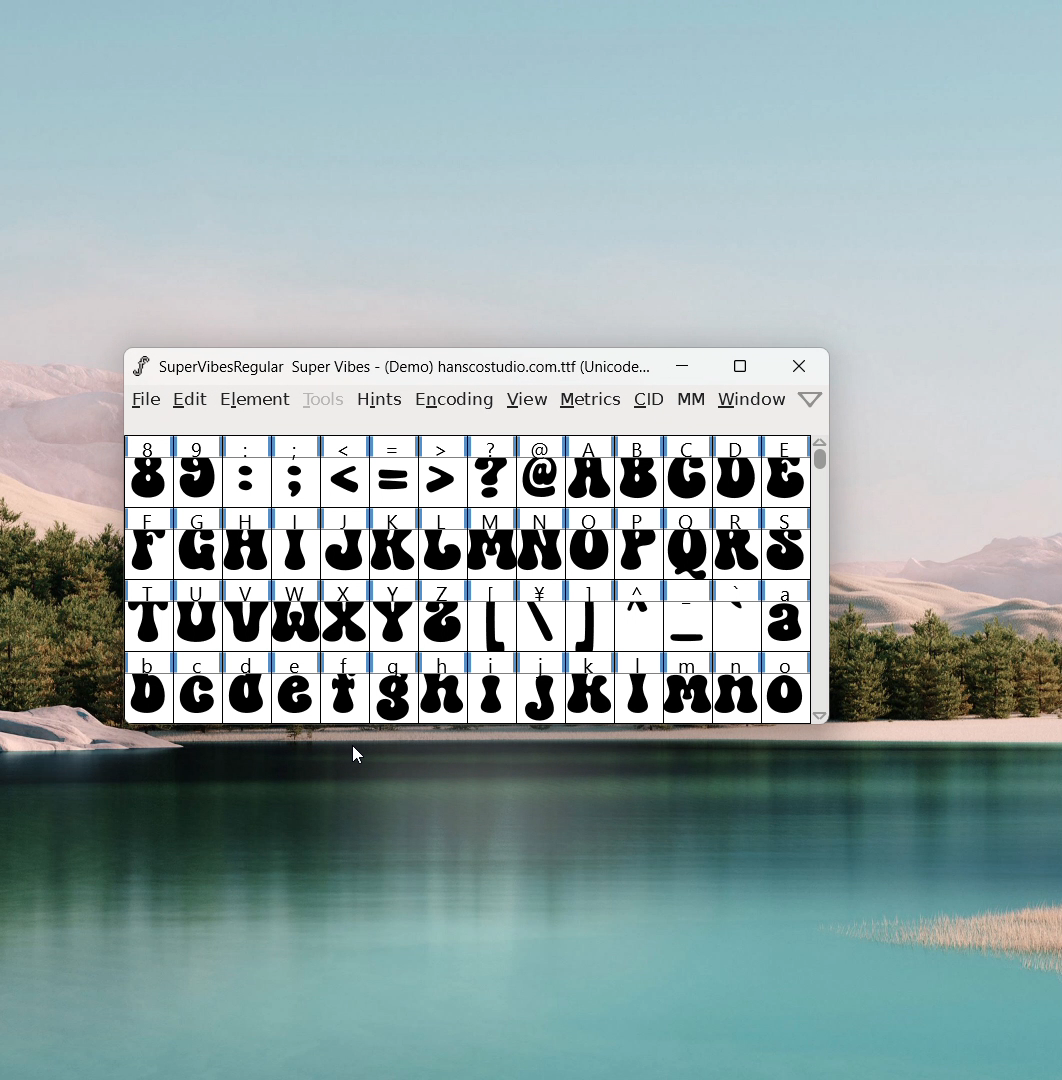 This screenshot has width=1062, height=1080. I want to click on I, so click(298, 543).